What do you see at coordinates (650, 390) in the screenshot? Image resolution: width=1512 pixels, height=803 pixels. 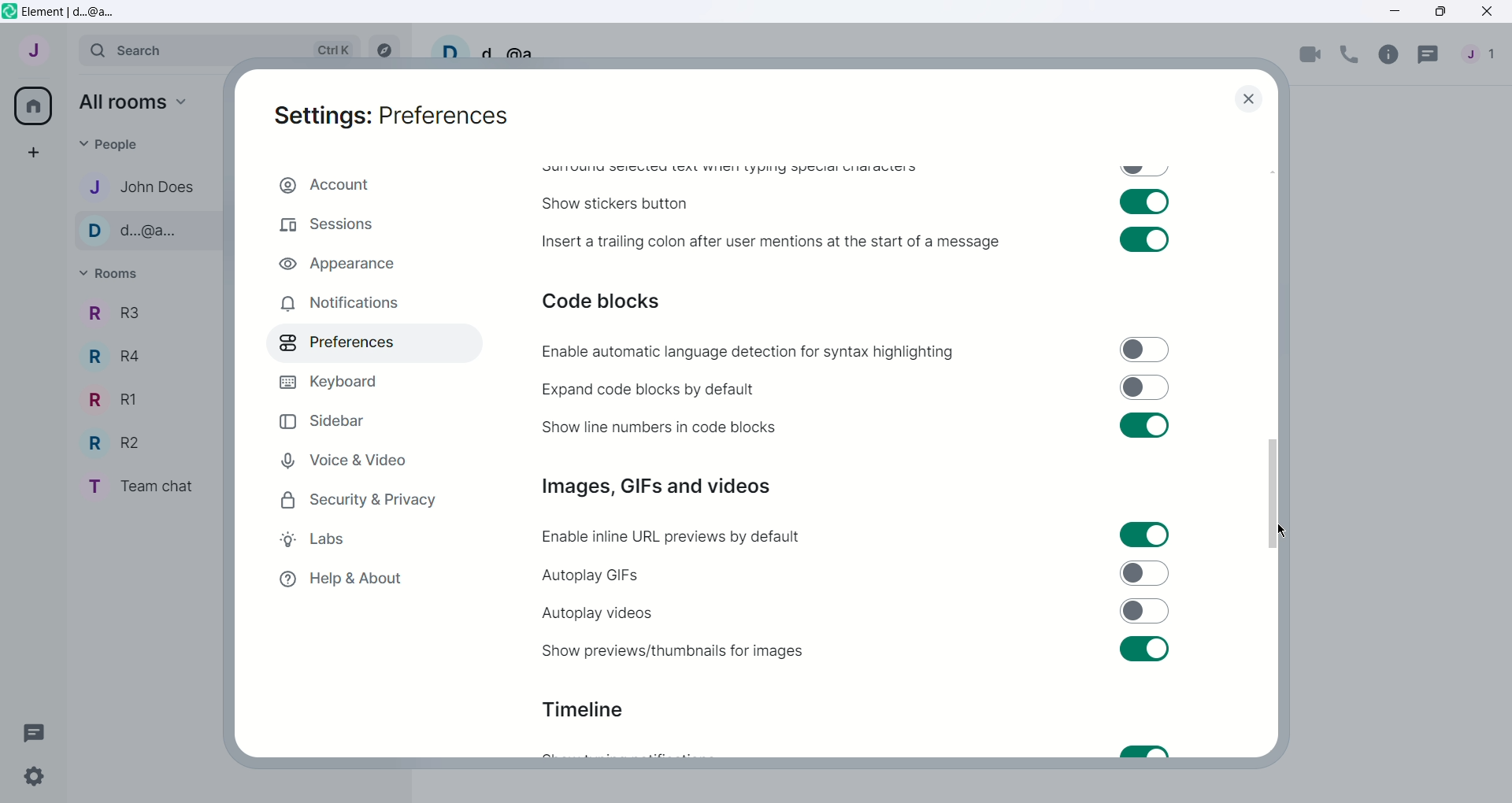 I see `Expand code blocks by default` at bounding box center [650, 390].